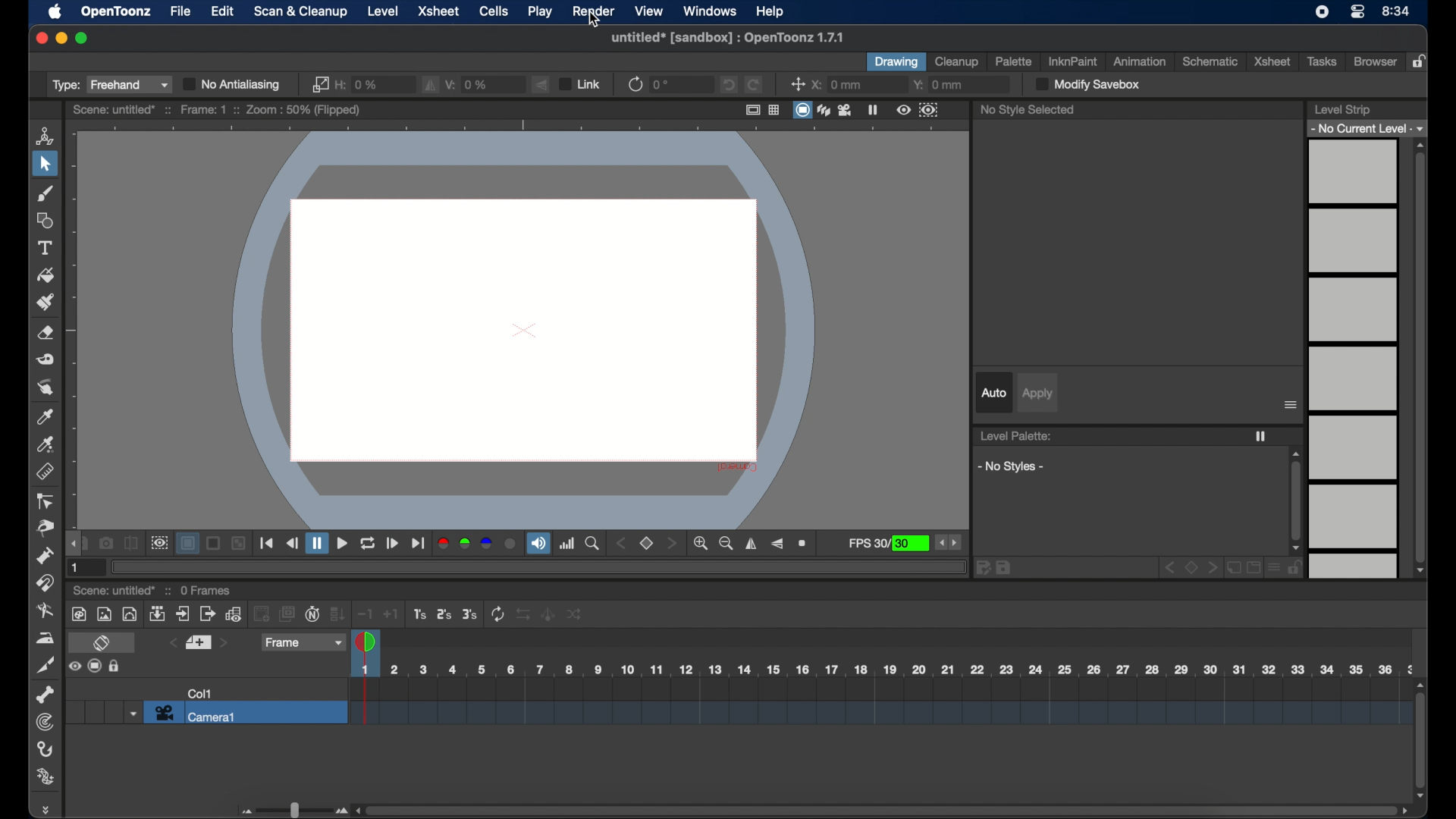 Image resolution: width=1456 pixels, height=819 pixels. Describe the element at coordinates (548, 613) in the screenshot. I see `` at that location.